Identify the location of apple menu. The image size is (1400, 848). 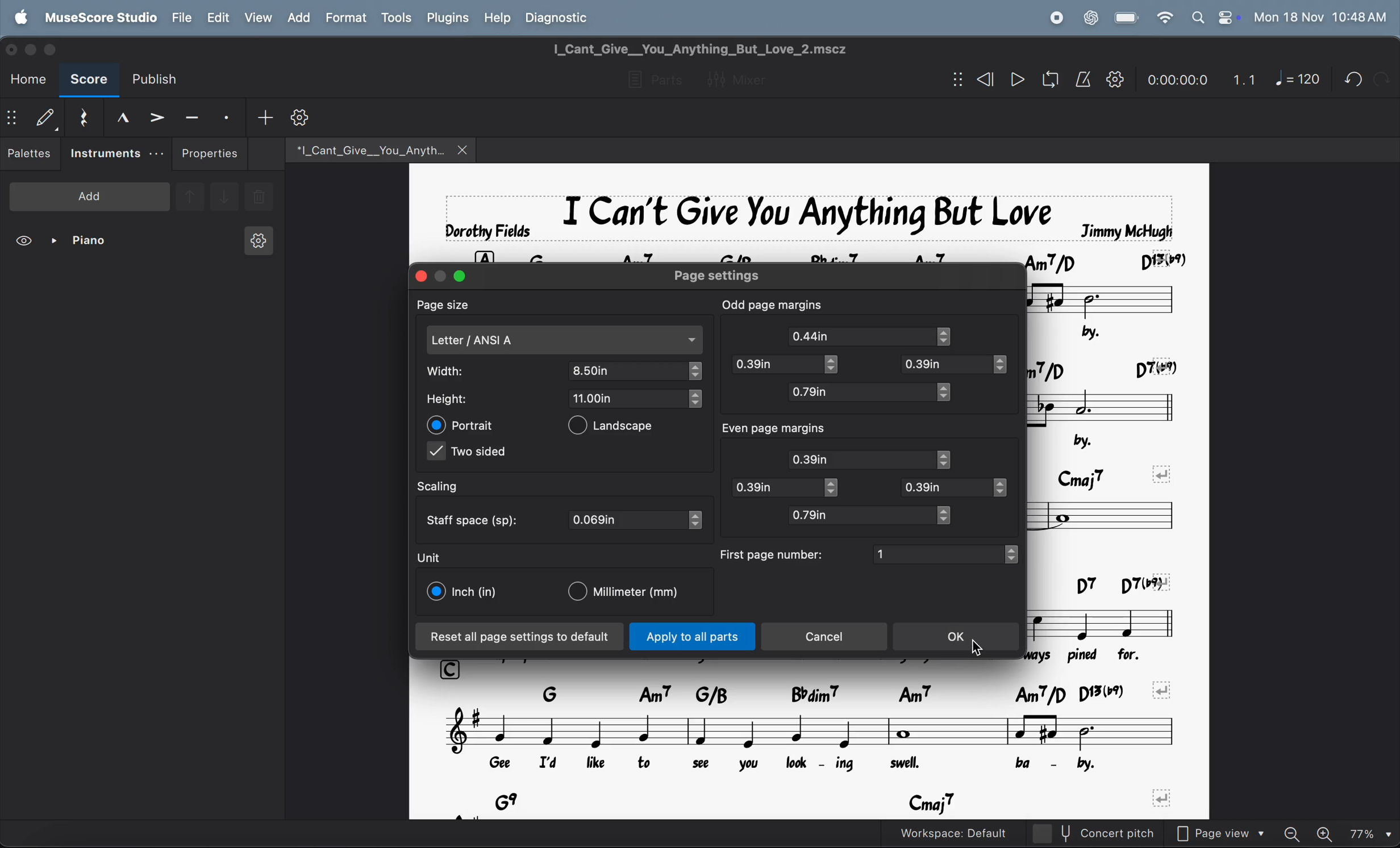
(23, 16).